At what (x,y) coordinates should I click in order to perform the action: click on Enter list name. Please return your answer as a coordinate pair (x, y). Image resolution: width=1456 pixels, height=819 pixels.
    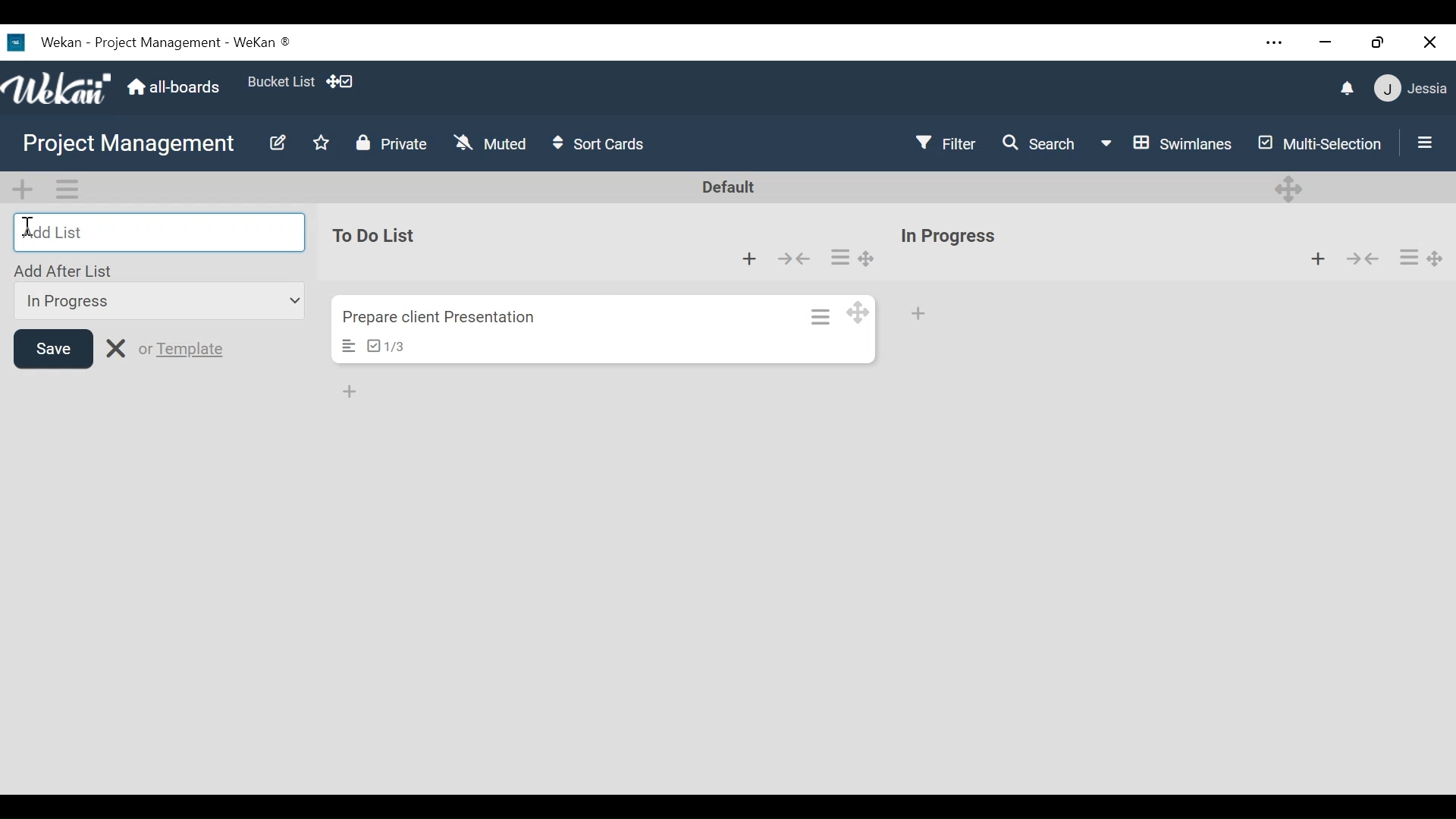
    Looking at the image, I should click on (158, 231).